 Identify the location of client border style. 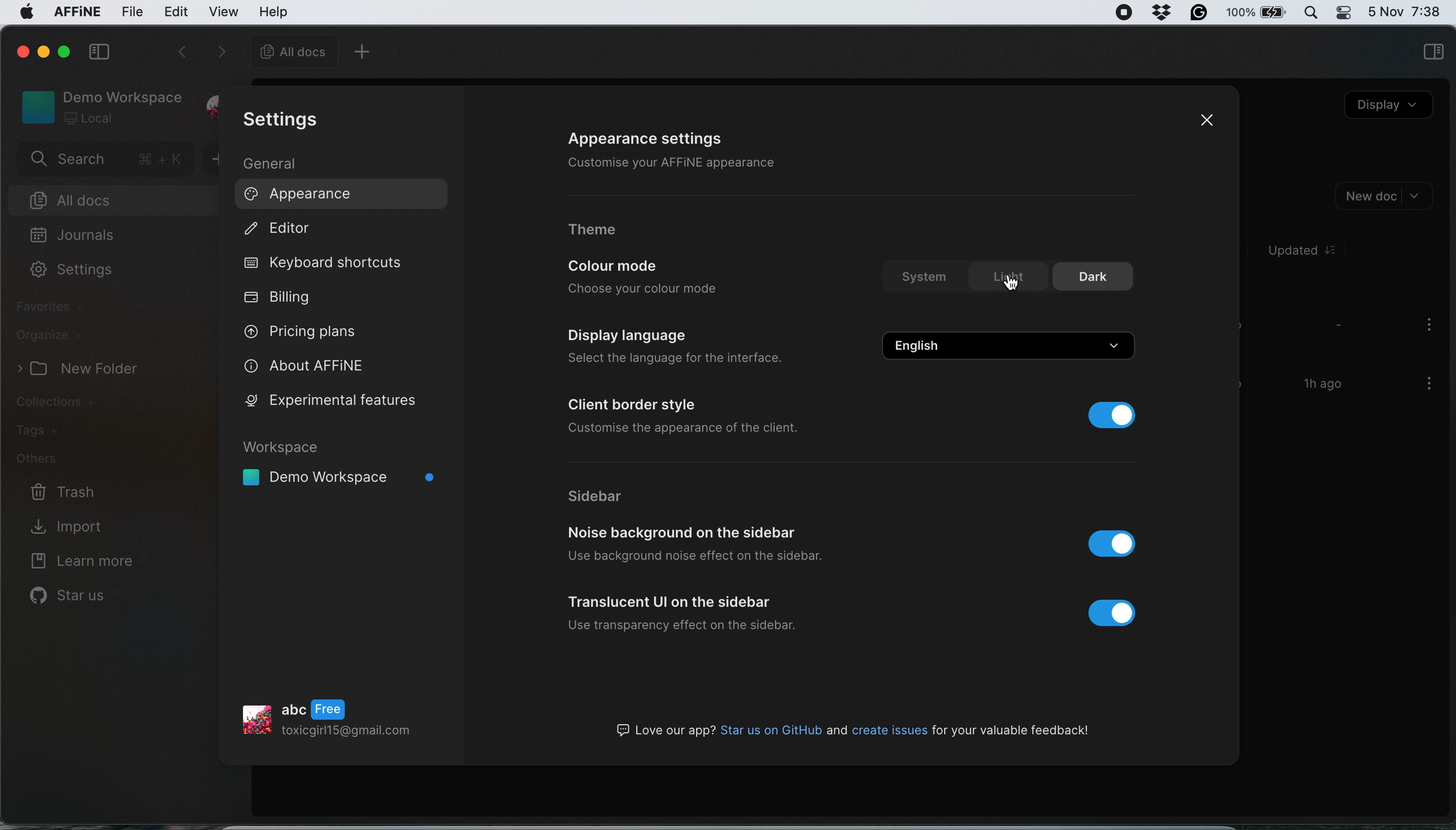
(634, 405).